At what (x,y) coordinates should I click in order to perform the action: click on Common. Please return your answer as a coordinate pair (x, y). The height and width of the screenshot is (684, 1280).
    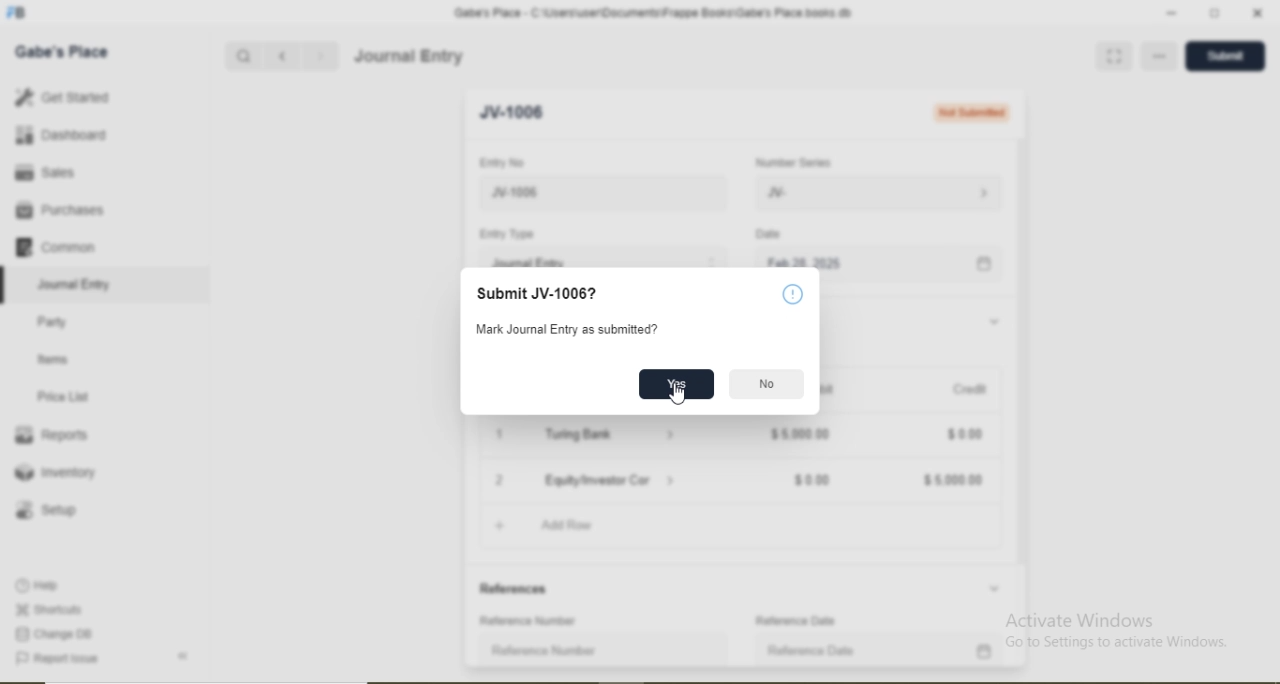
    Looking at the image, I should click on (54, 246).